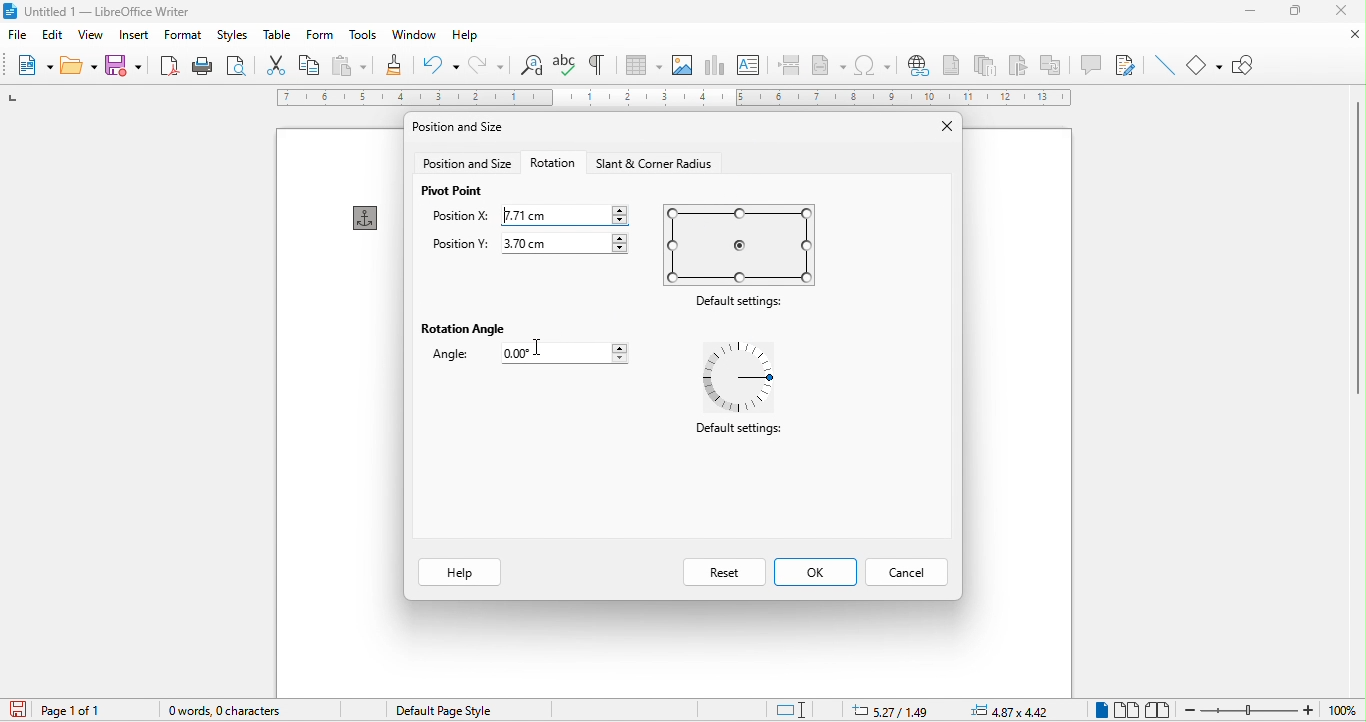  What do you see at coordinates (236, 67) in the screenshot?
I see `print preview` at bounding box center [236, 67].